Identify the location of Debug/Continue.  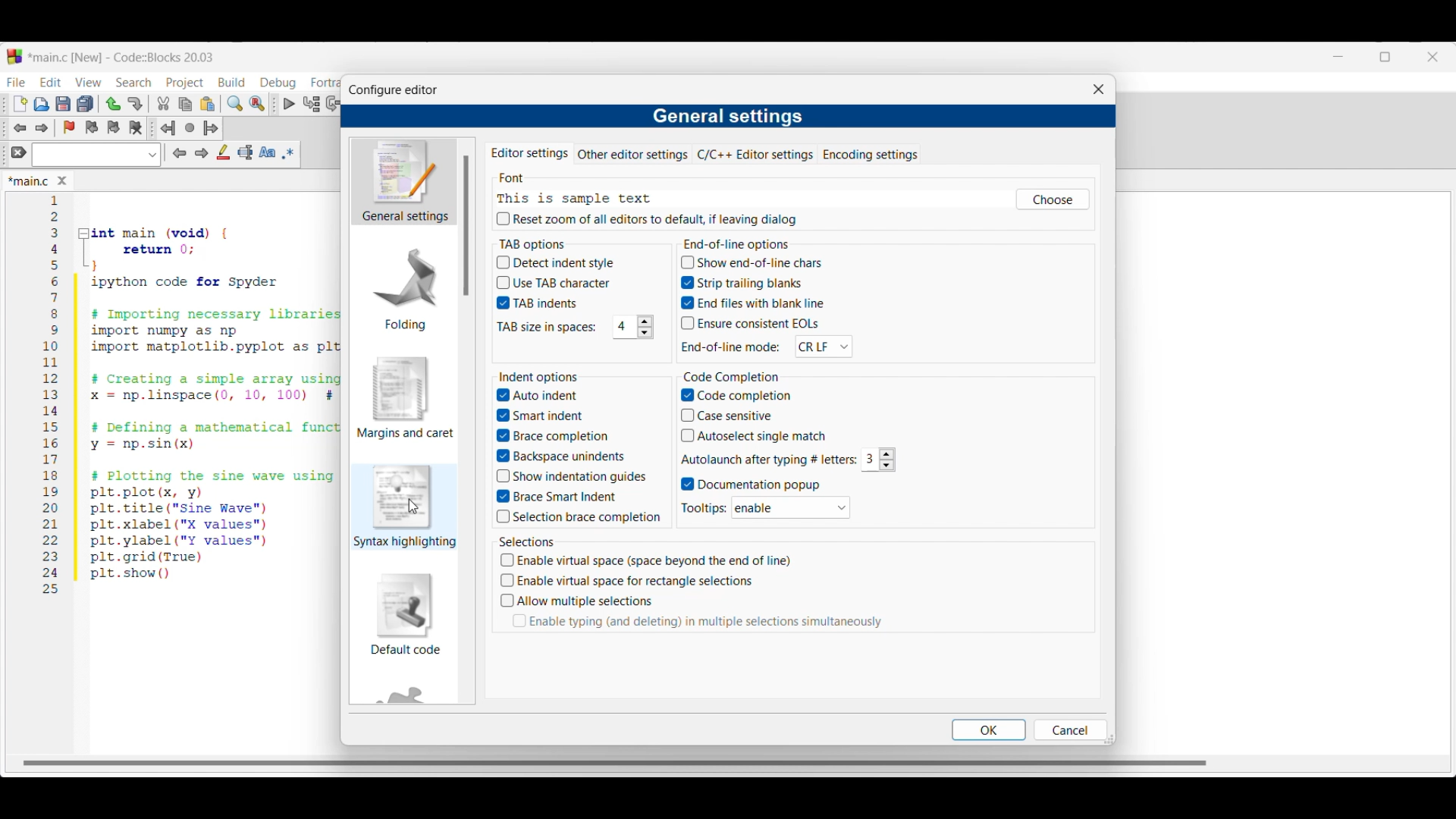
(290, 104).